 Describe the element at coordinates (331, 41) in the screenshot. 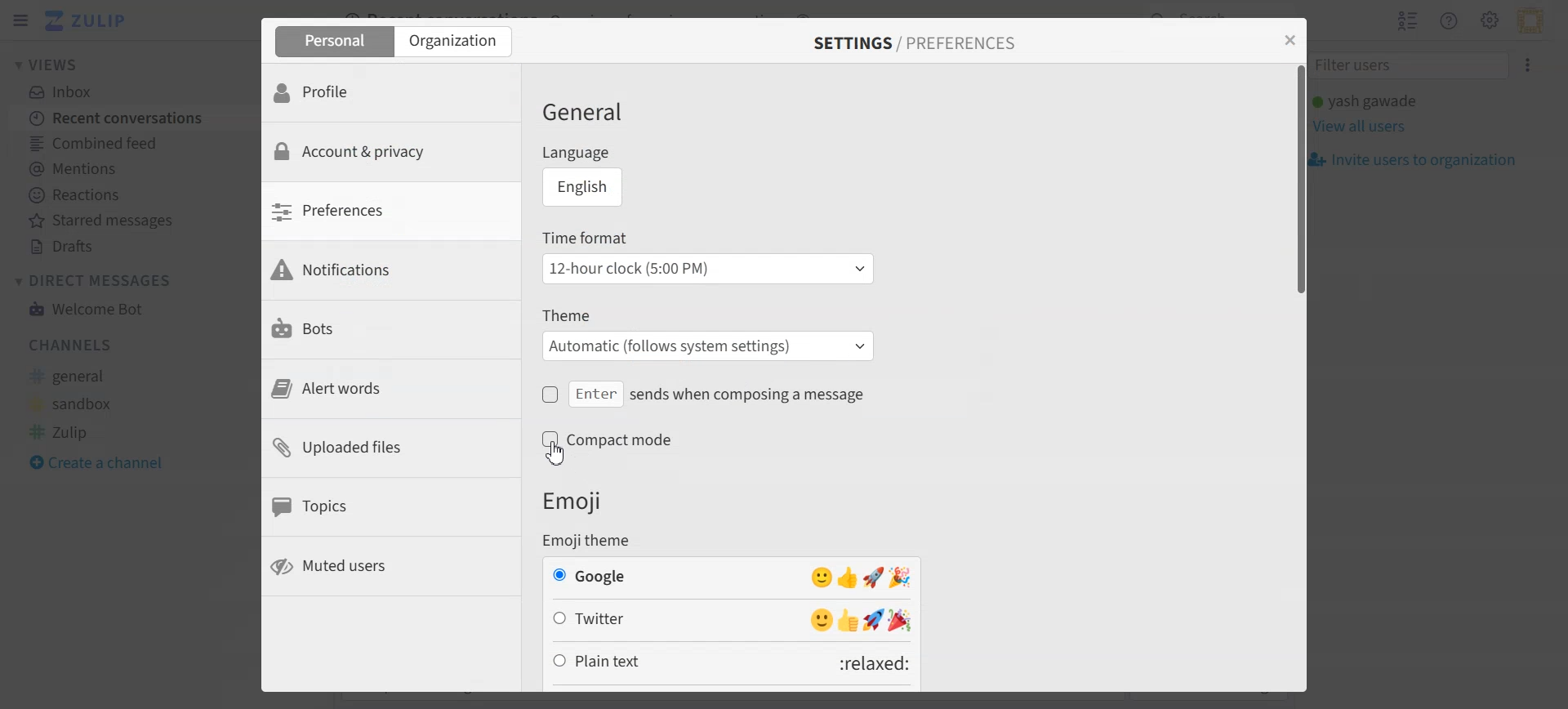

I see `Personal` at that location.